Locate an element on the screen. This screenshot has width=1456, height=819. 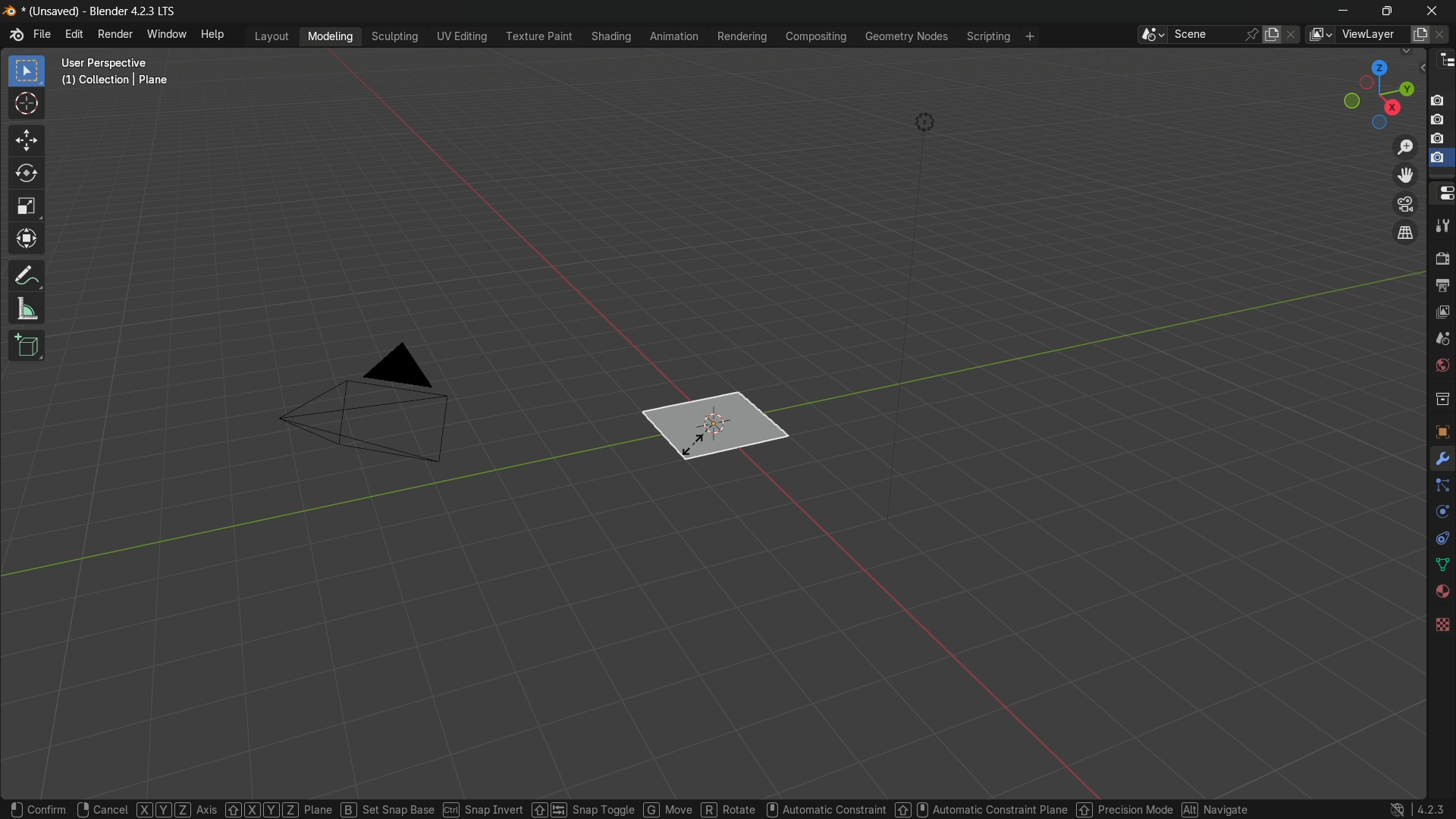
add workplace is located at coordinates (1030, 36).